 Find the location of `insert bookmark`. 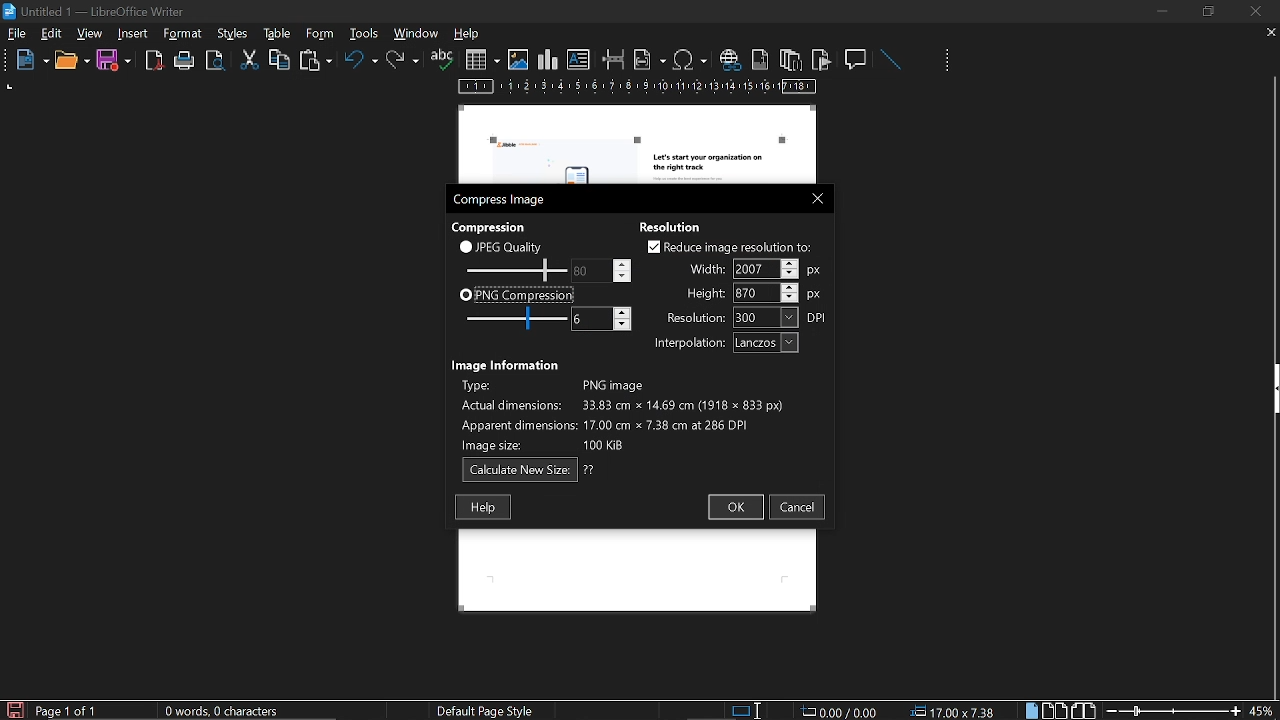

insert bookmark is located at coordinates (822, 60).